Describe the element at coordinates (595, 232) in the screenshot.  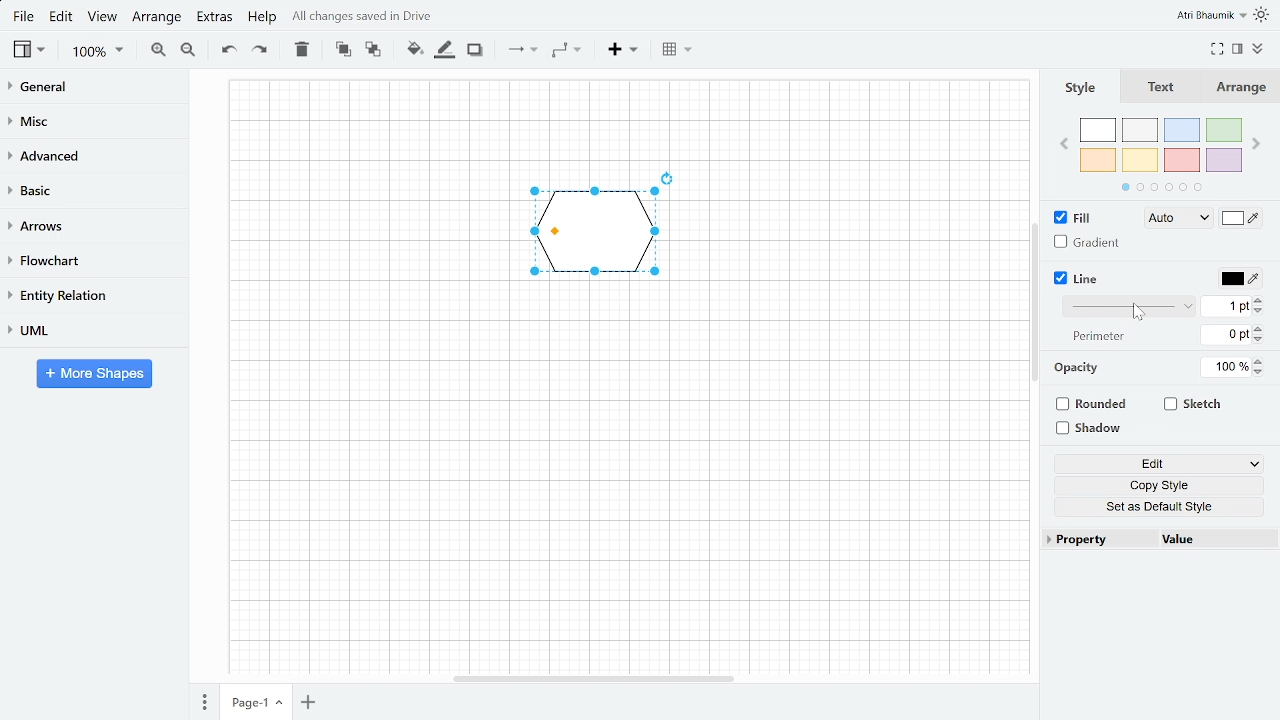
I see `Pentagon, current shape` at that location.